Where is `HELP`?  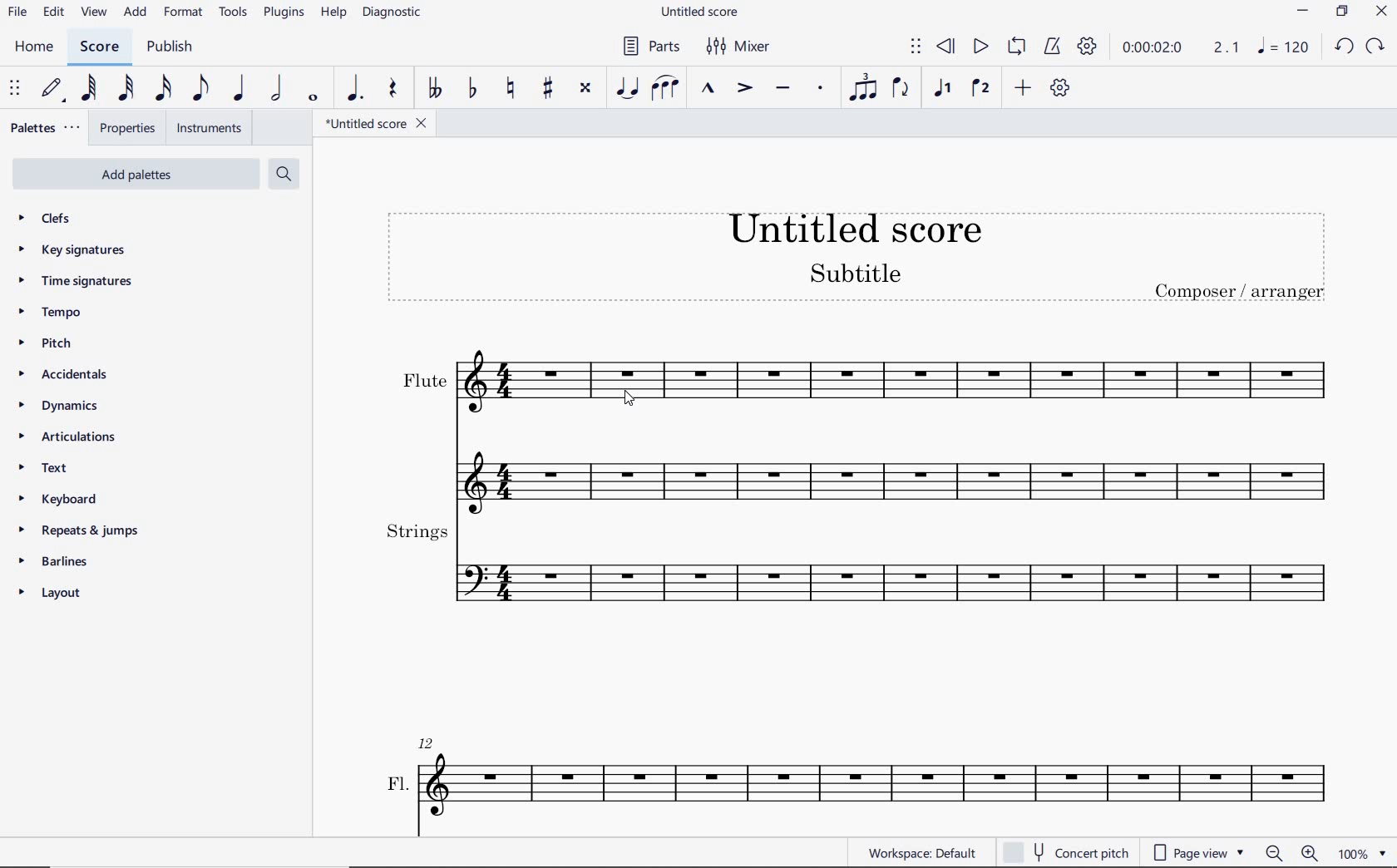
HELP is located at coordinates (334, 12).